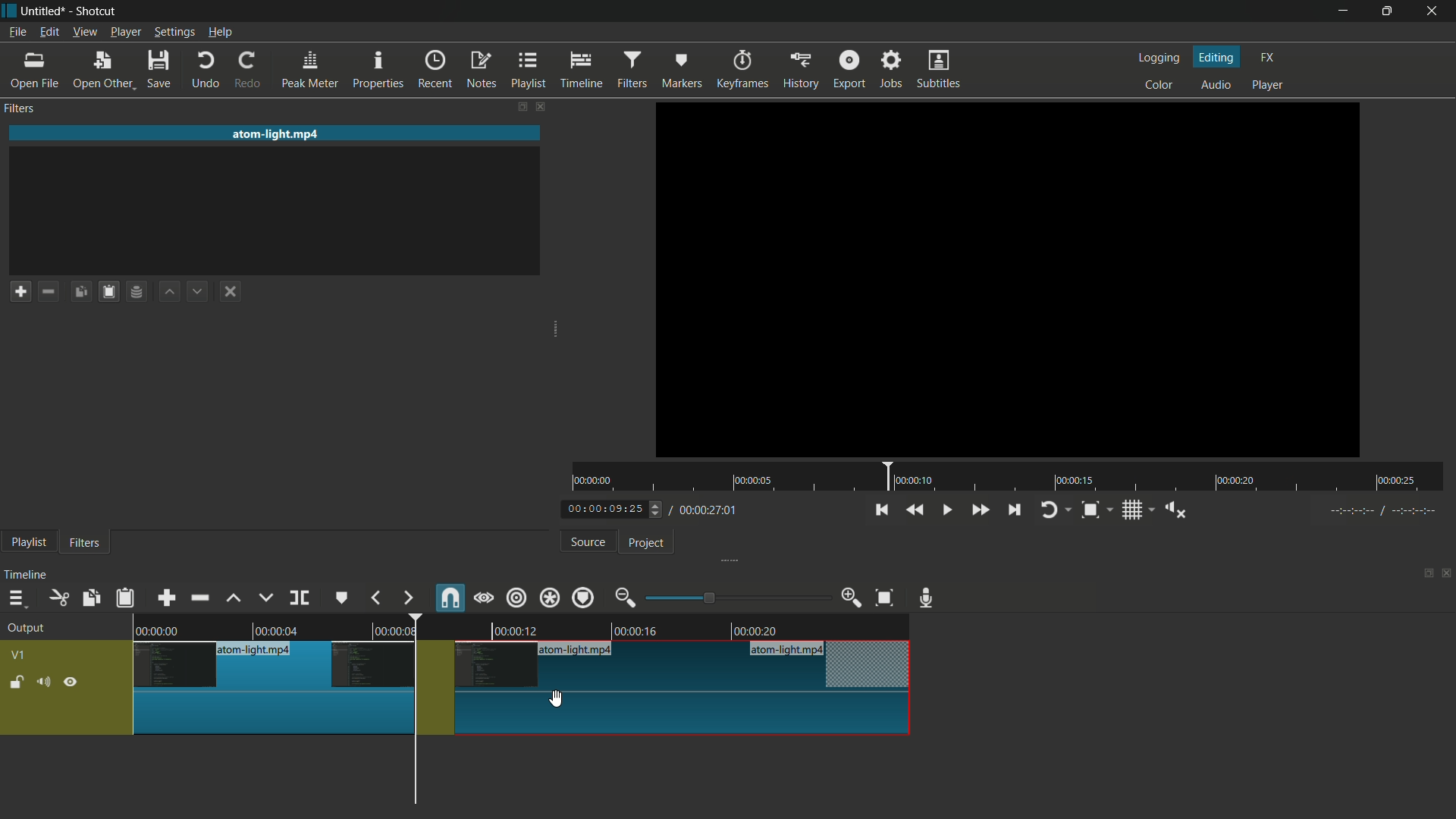 The width and height of the screenshot is (1456, 819). What do you see at coordinates (127, 598) in the screenshot?
I see `paste filters` at bounding box center [127, 598].